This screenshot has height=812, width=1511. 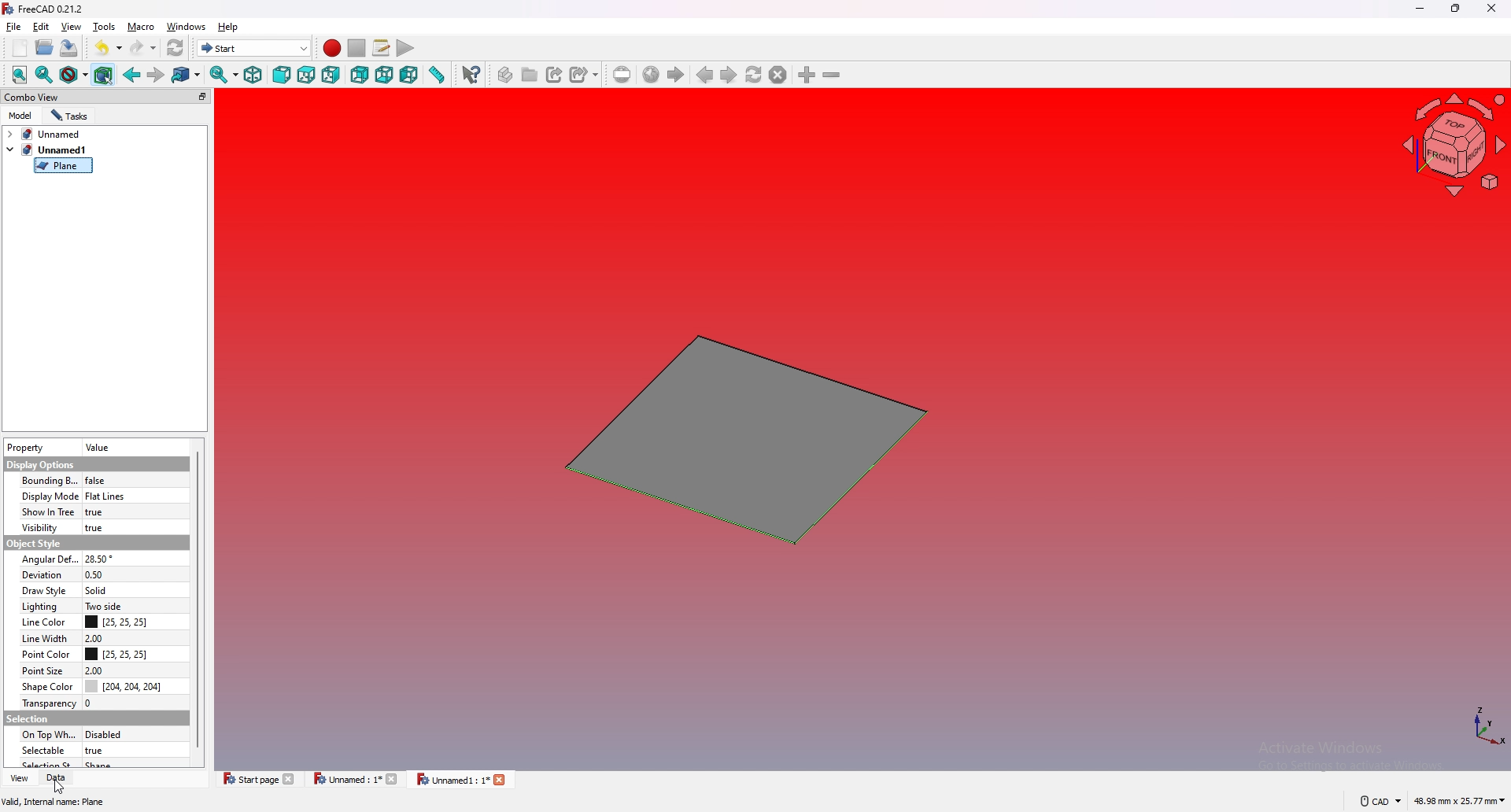 What do you see at coordinates (306, 76) in the screenshot?
I see `top` at bounding box center [306, 76].